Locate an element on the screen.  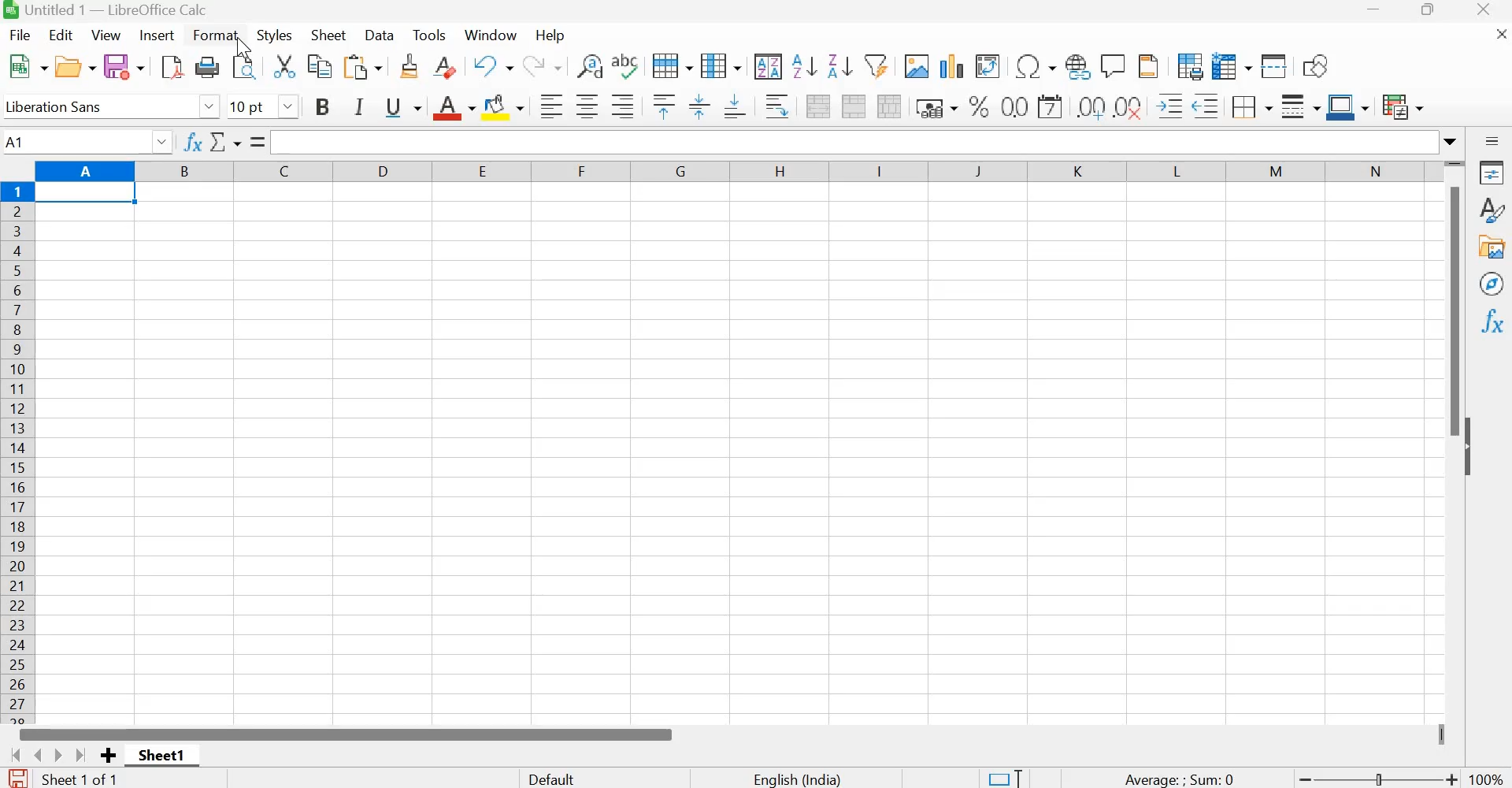
Font color is located at coordinates (452, 104).